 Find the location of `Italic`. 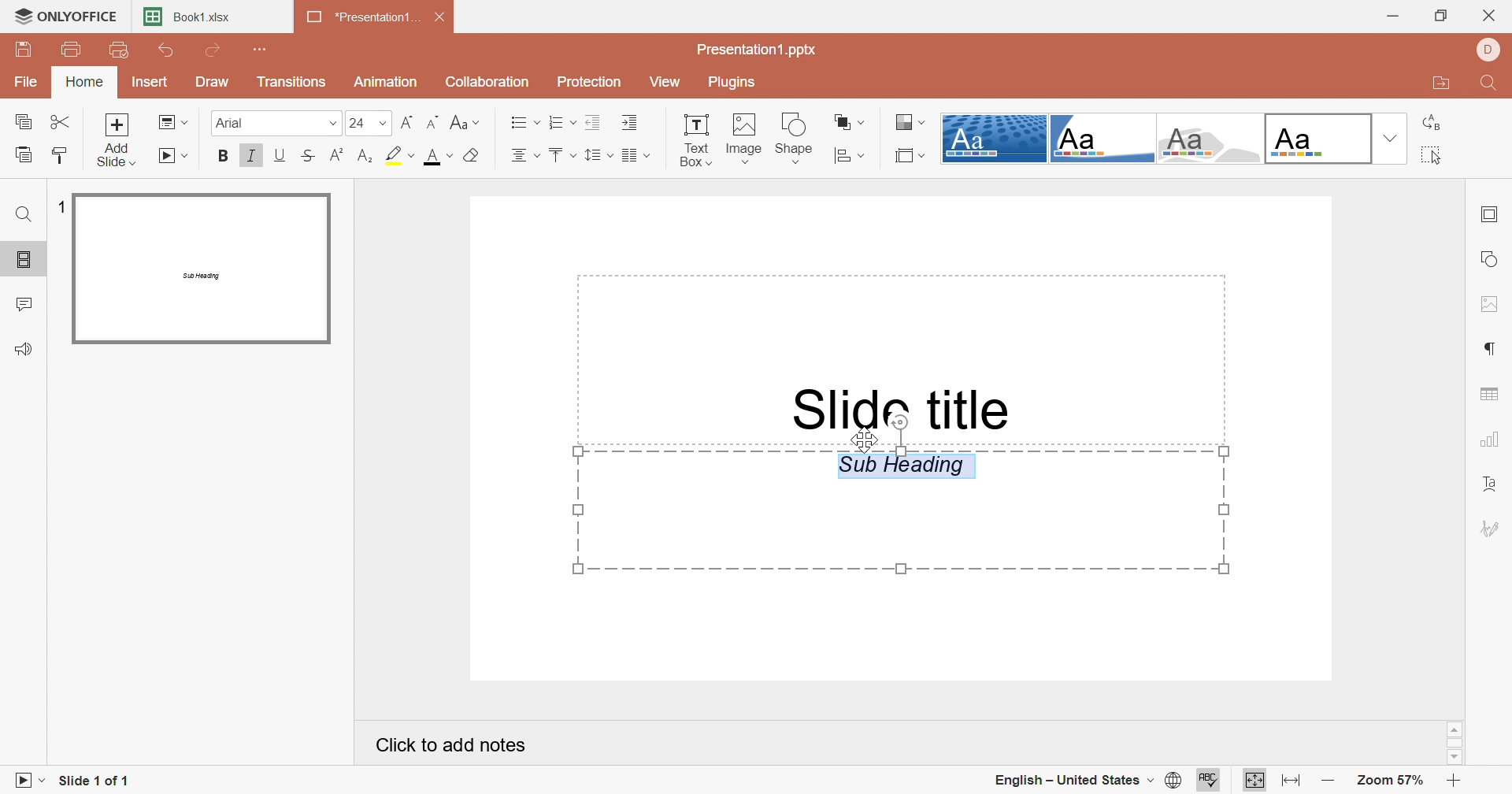

Italic is located at coordinates (254, 154).